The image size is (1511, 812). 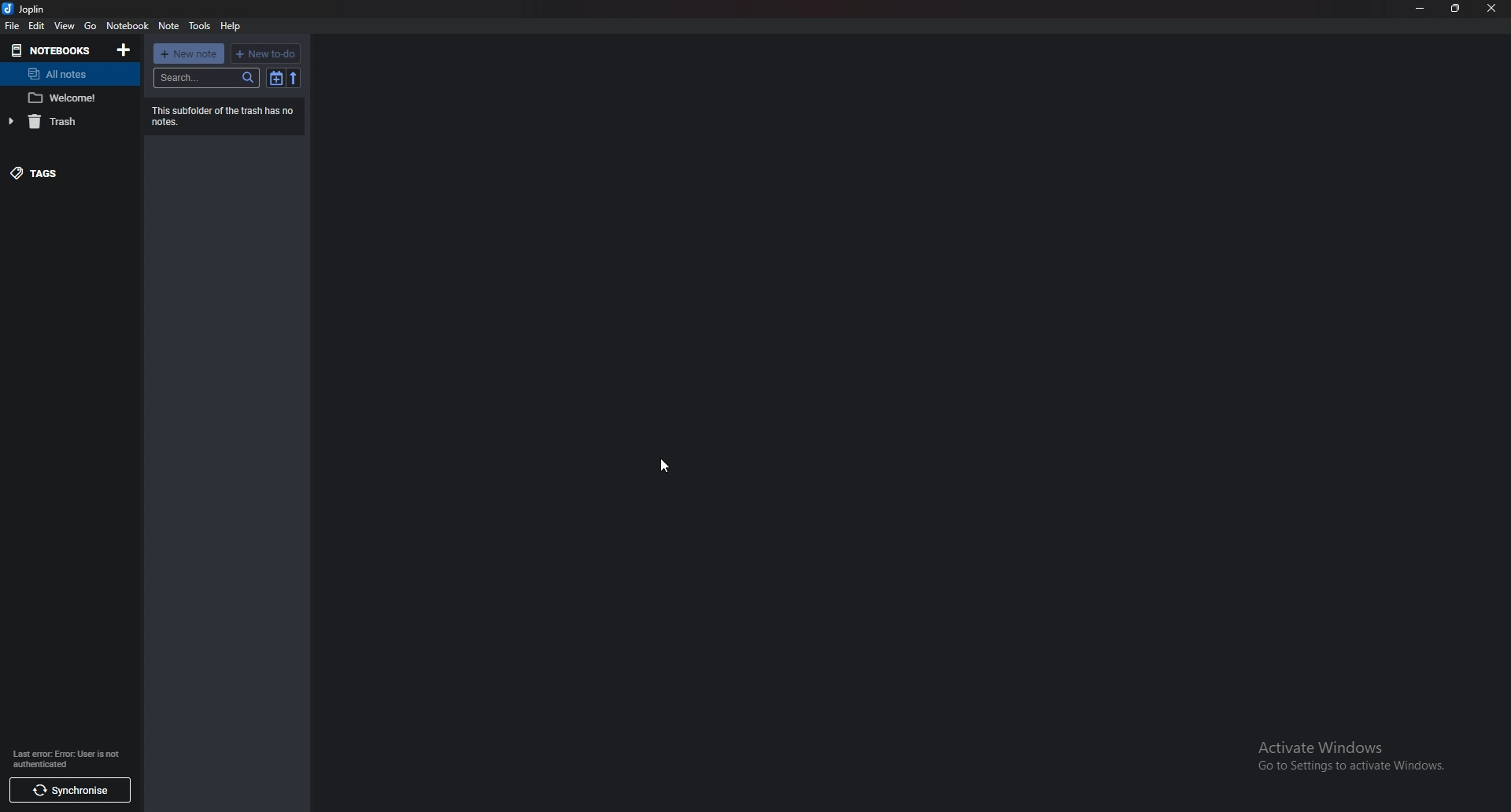 I want to click on Activate Windows
Go to Settings to activate Windows., so click(x=1343, y=755).